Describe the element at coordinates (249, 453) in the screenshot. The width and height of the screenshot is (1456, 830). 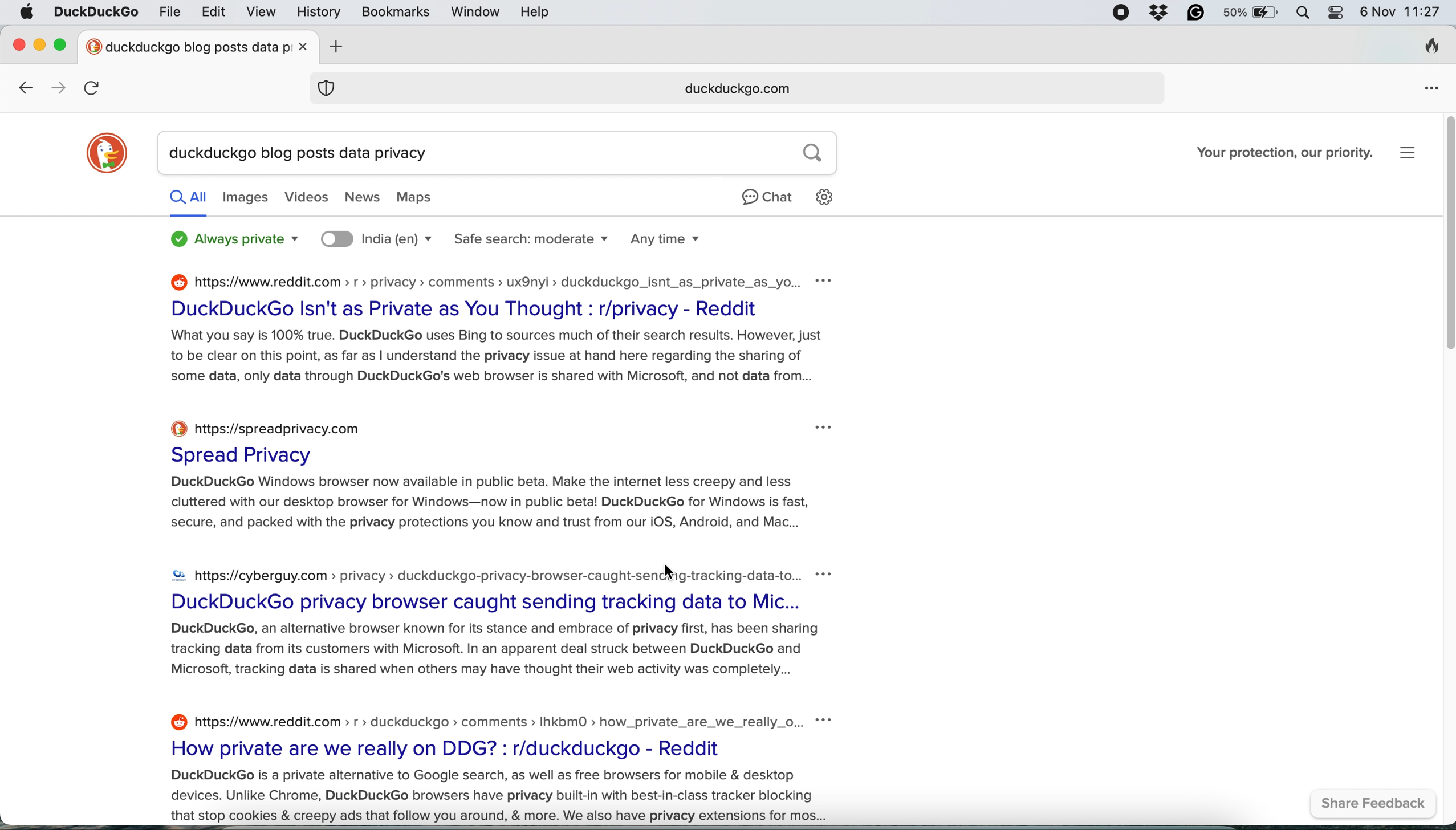
I see `spread privacy` at that location.